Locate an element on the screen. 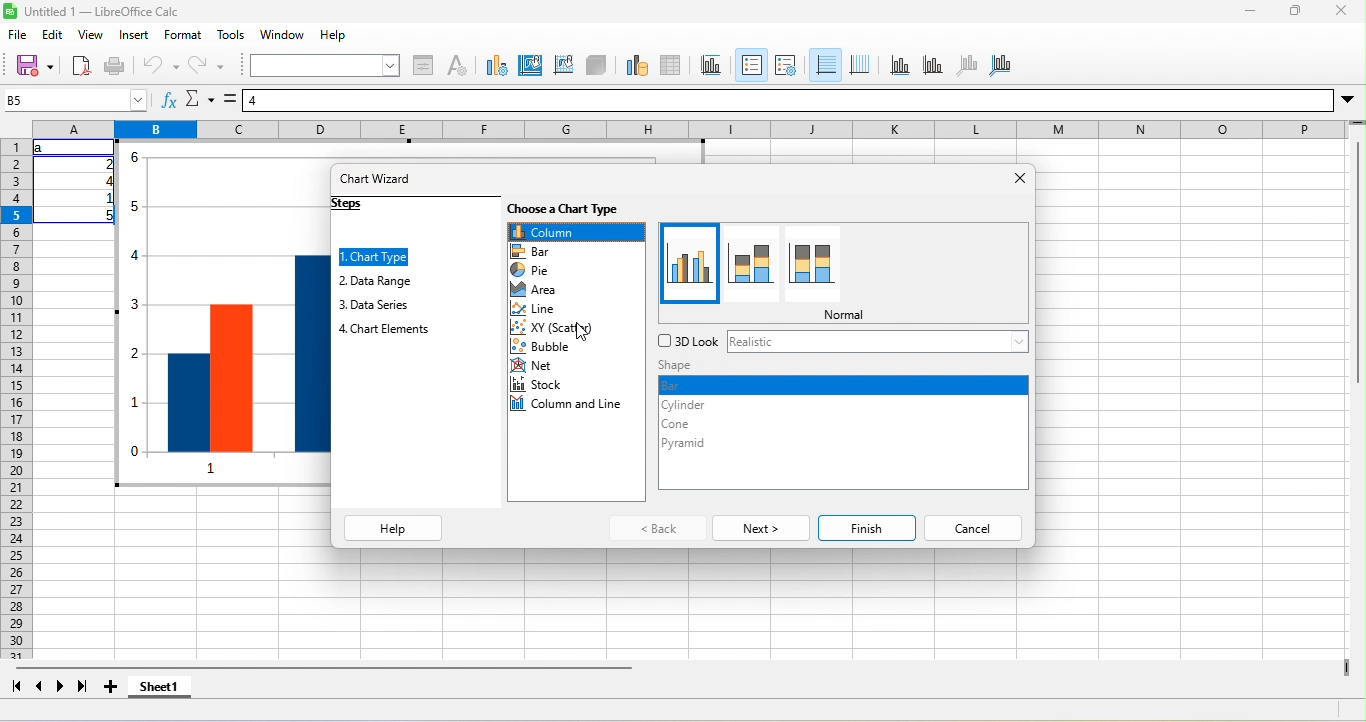 The height and width of the screenshot is (722, 1366). 5 is located at coordinates (105, 216).